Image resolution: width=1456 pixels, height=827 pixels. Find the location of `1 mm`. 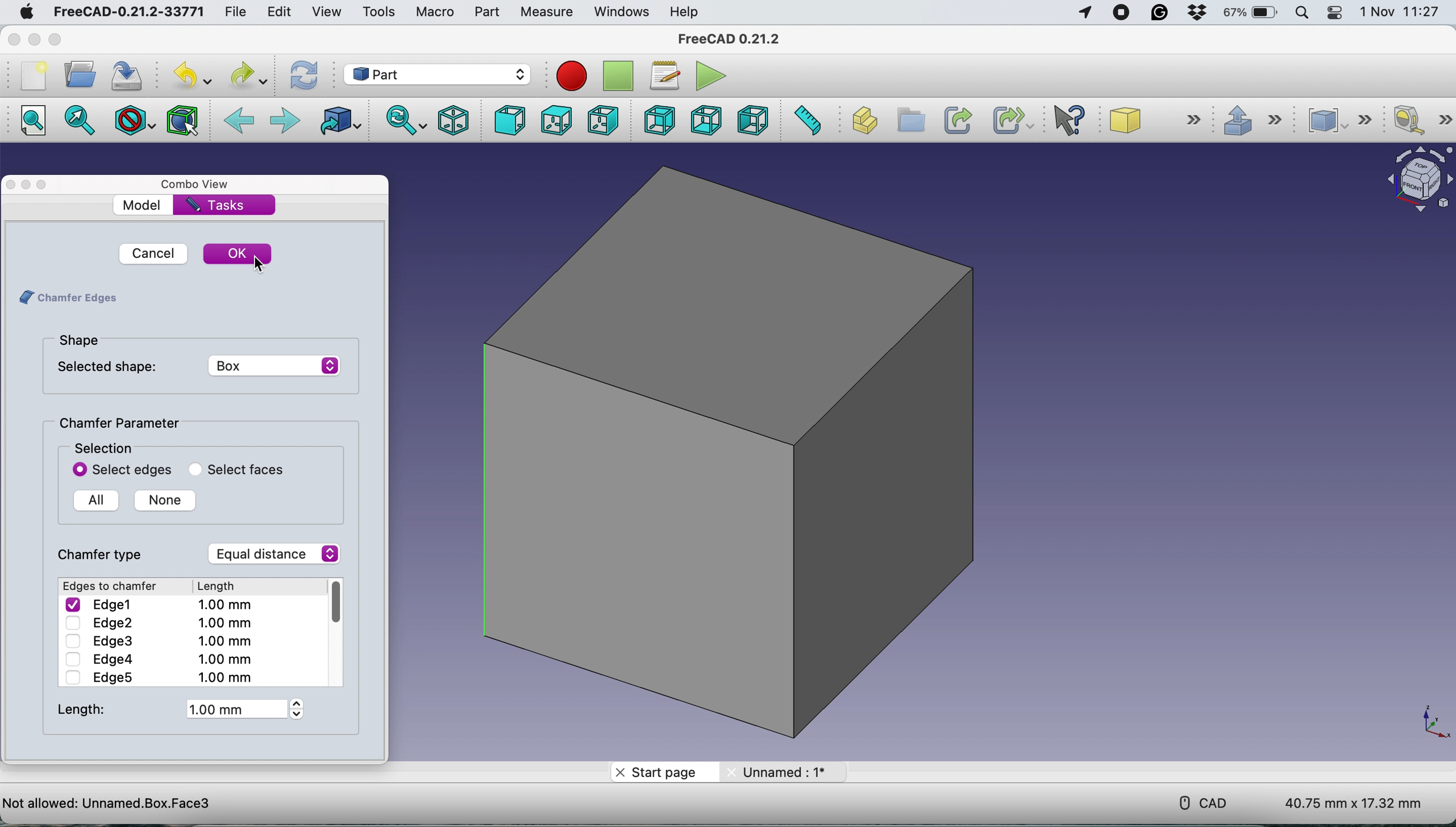

1 mm is located at coordinates (242, 709).